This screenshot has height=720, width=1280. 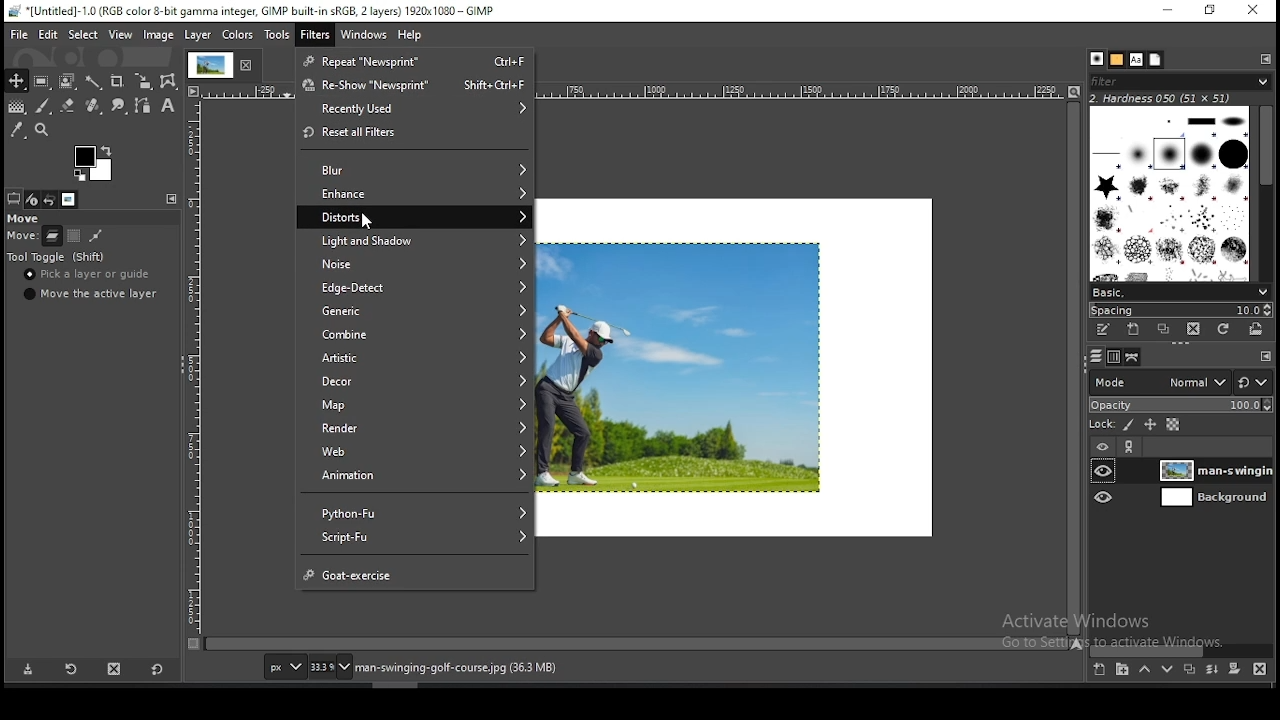 I want to click on move layer one step down, so click(x=1166, y=667).